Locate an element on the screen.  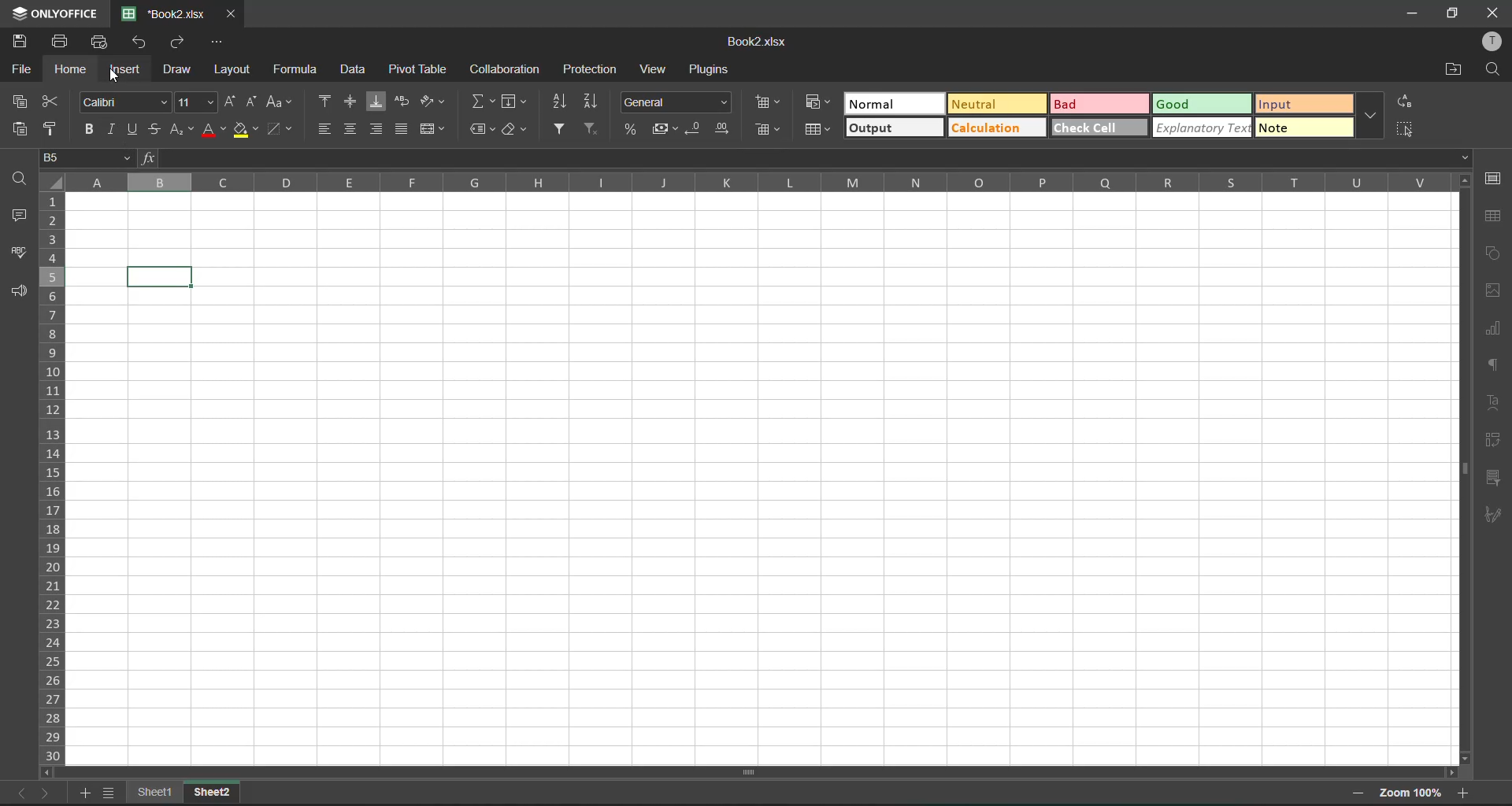
table is located at coordinates (1494, 216).